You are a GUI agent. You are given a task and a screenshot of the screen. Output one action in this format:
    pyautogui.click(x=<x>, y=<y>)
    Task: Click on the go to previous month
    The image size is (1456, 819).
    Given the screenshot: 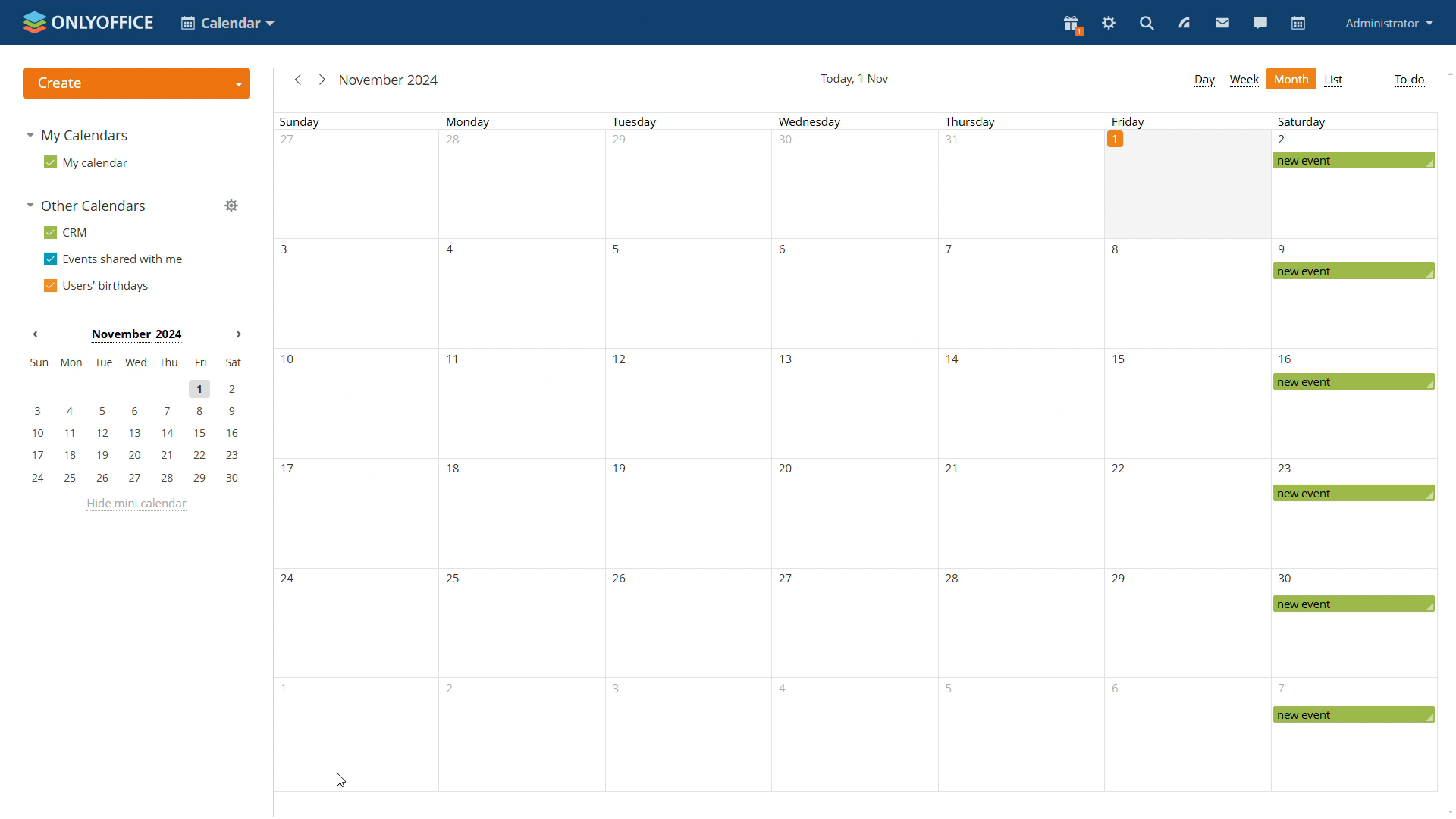 What is the action you would take?
    pyautogui.click(x=300, y=81)
    